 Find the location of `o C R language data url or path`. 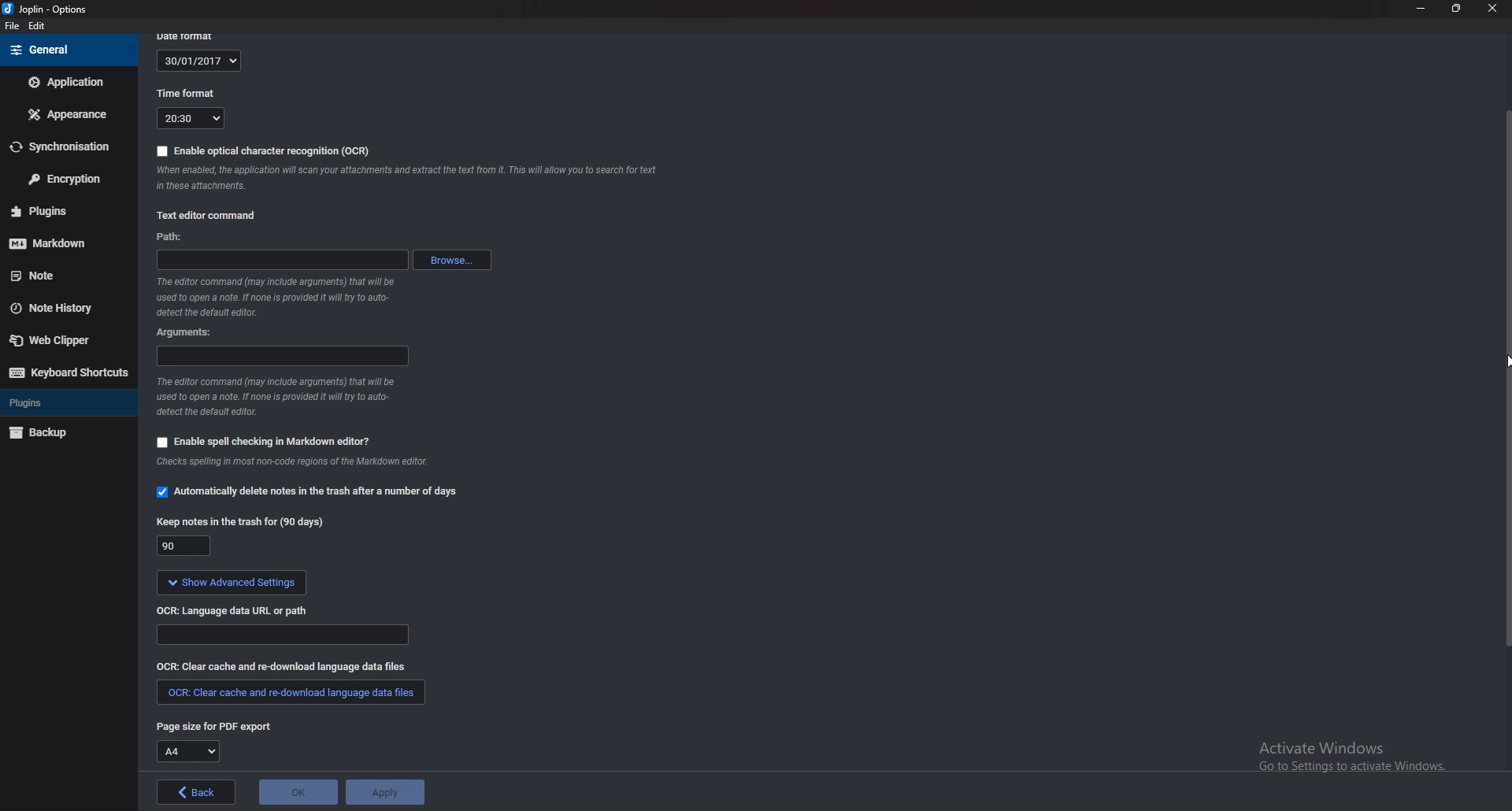

o C R language data url or path is located at coordinates (234, 613).